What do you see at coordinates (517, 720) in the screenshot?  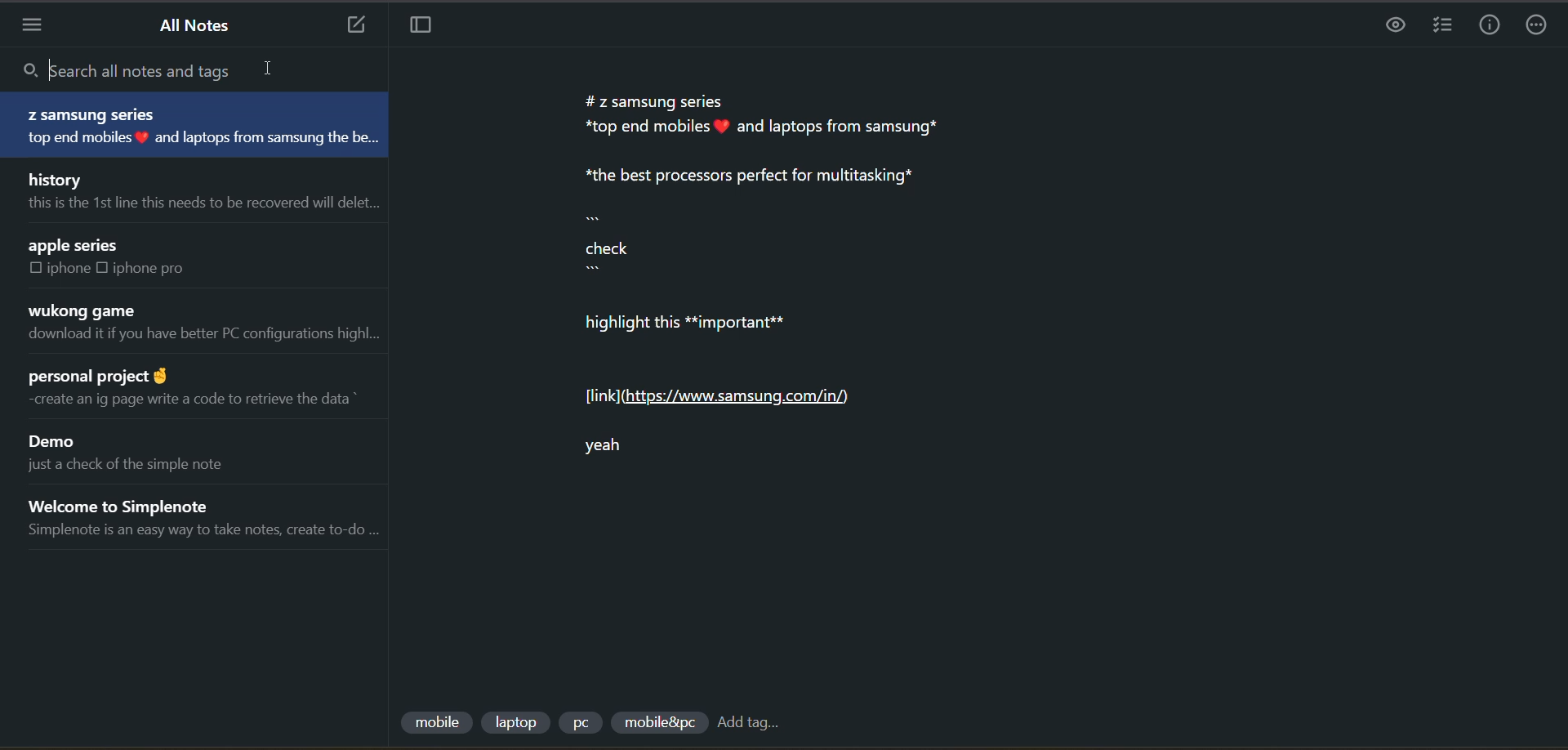 I see `laptop` at bounding box center [517, 720].